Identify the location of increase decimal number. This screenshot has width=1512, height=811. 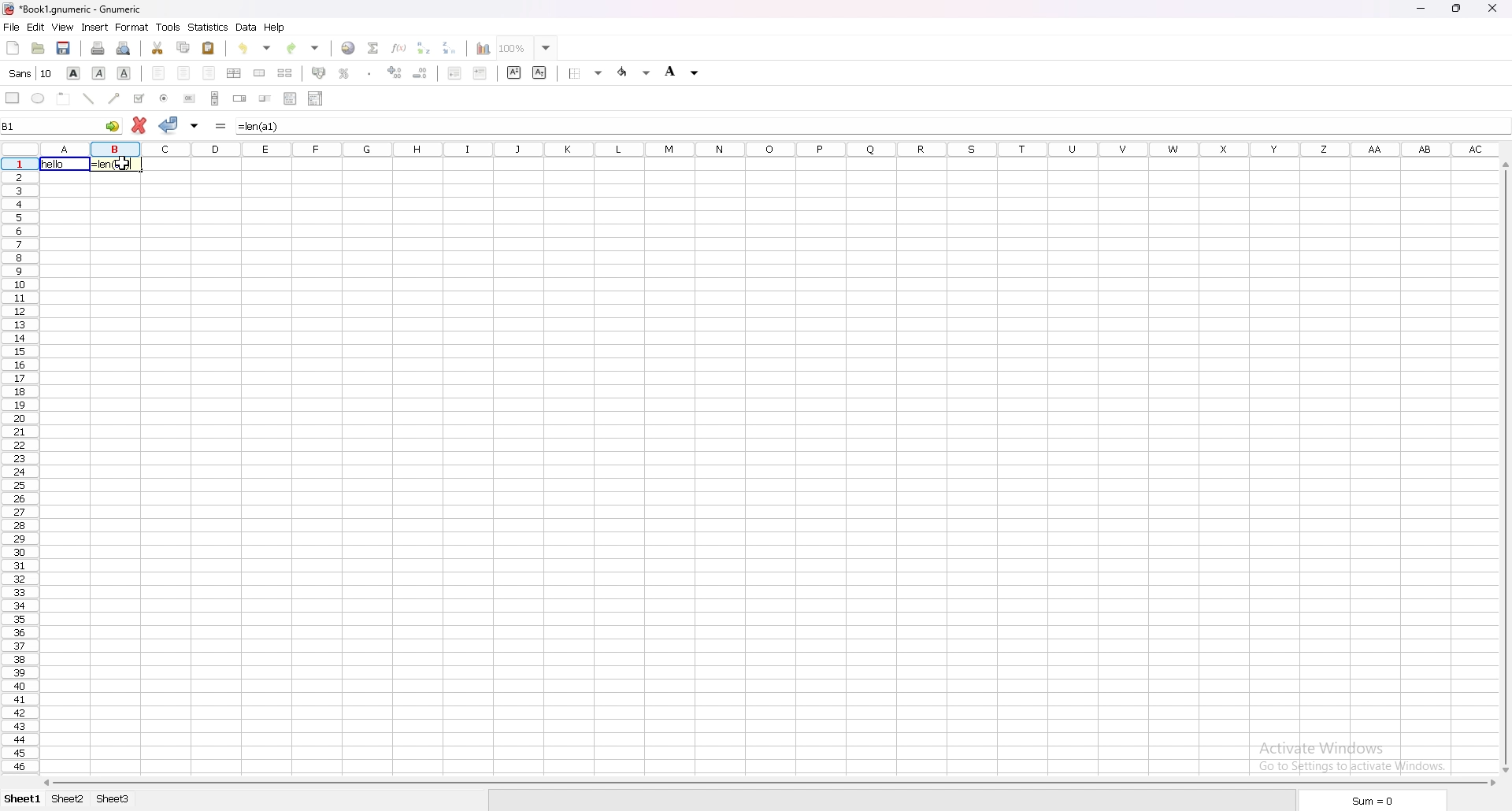
(395, 72).